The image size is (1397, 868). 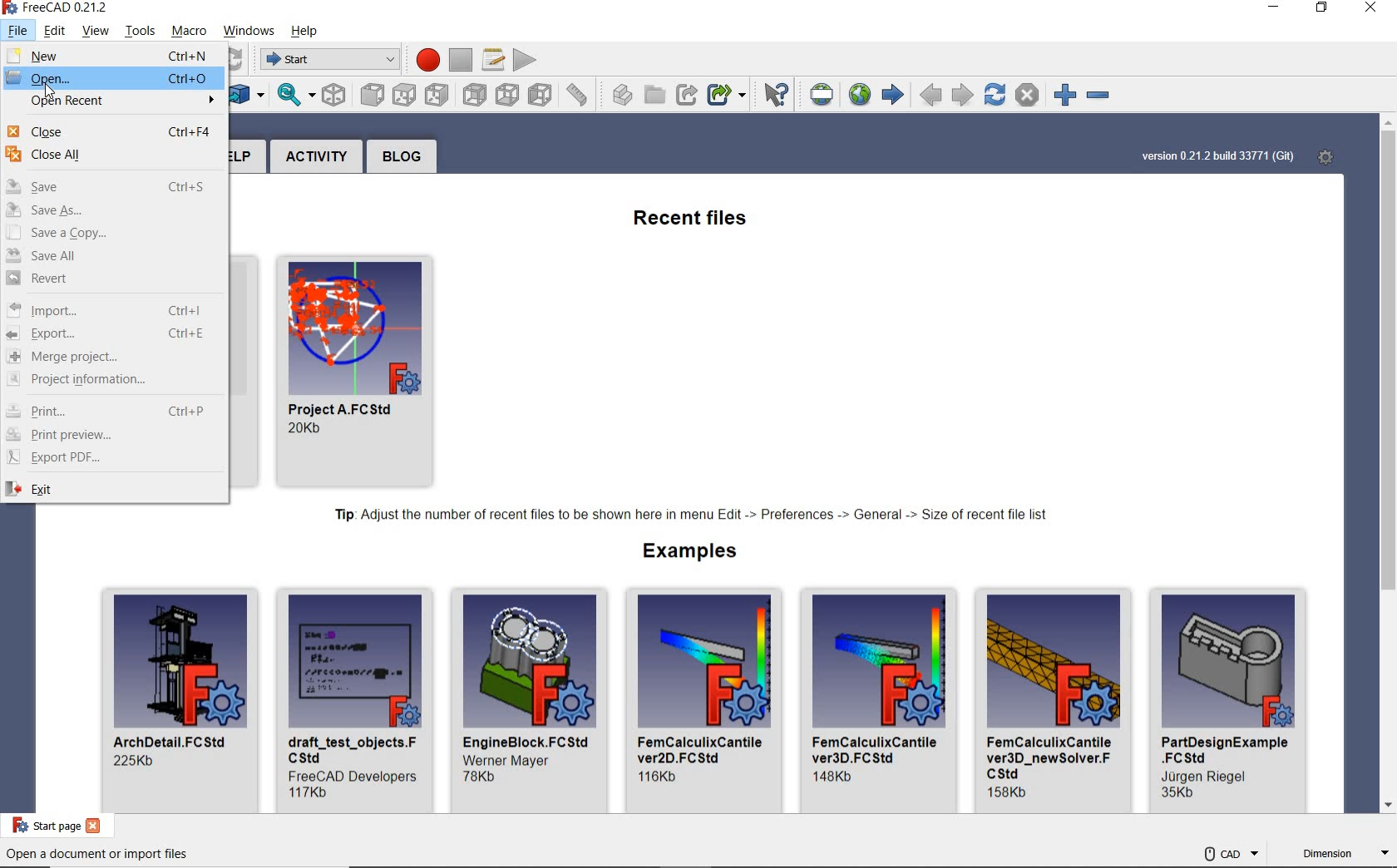 What do you see at coordinates (531, 659) in the screenshot?
I see `image` at bounding box center [531, 659].